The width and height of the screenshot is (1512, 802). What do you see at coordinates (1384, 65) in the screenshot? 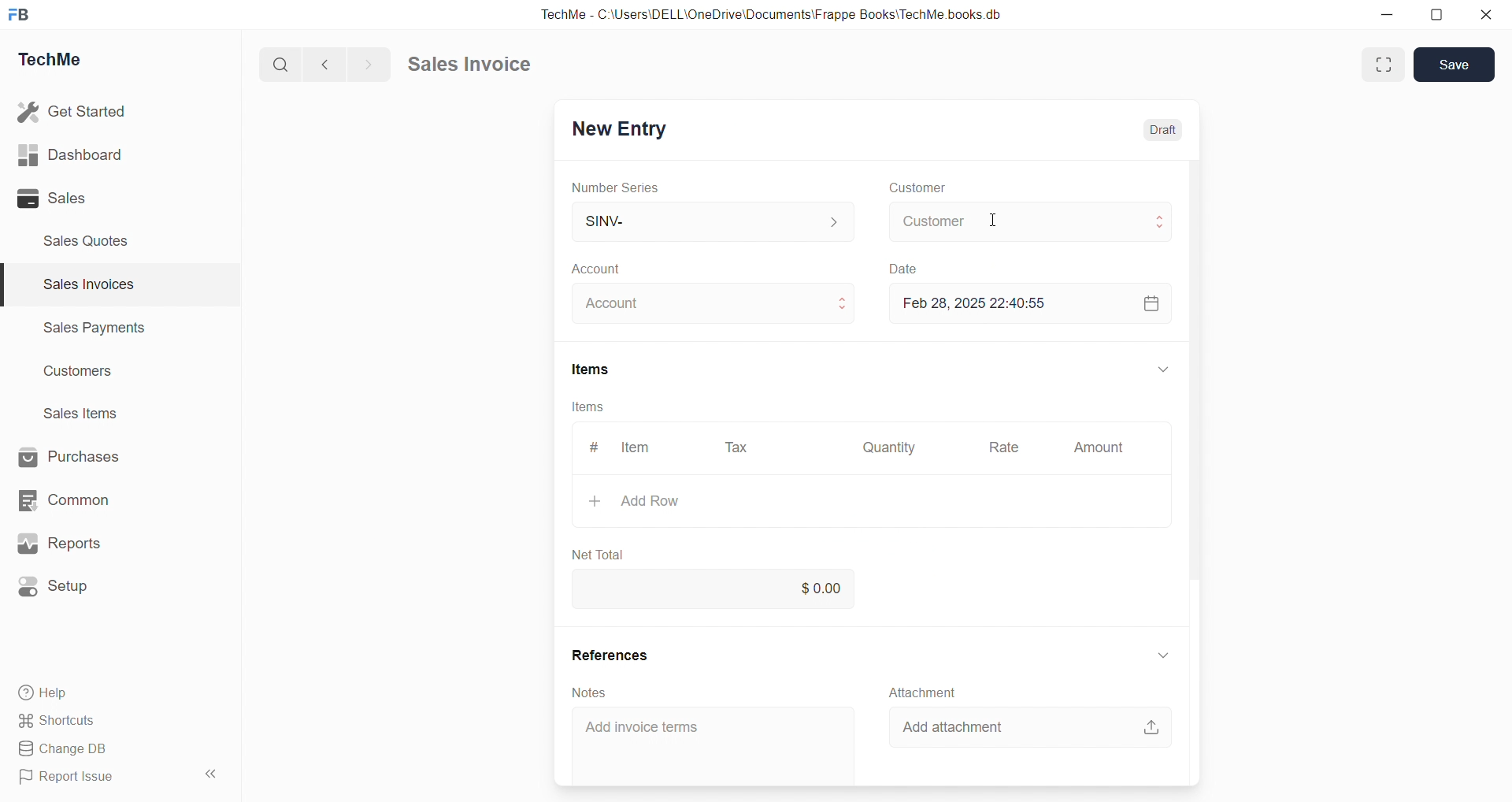
I see `enlarge` at bounding box center [1384, 65].